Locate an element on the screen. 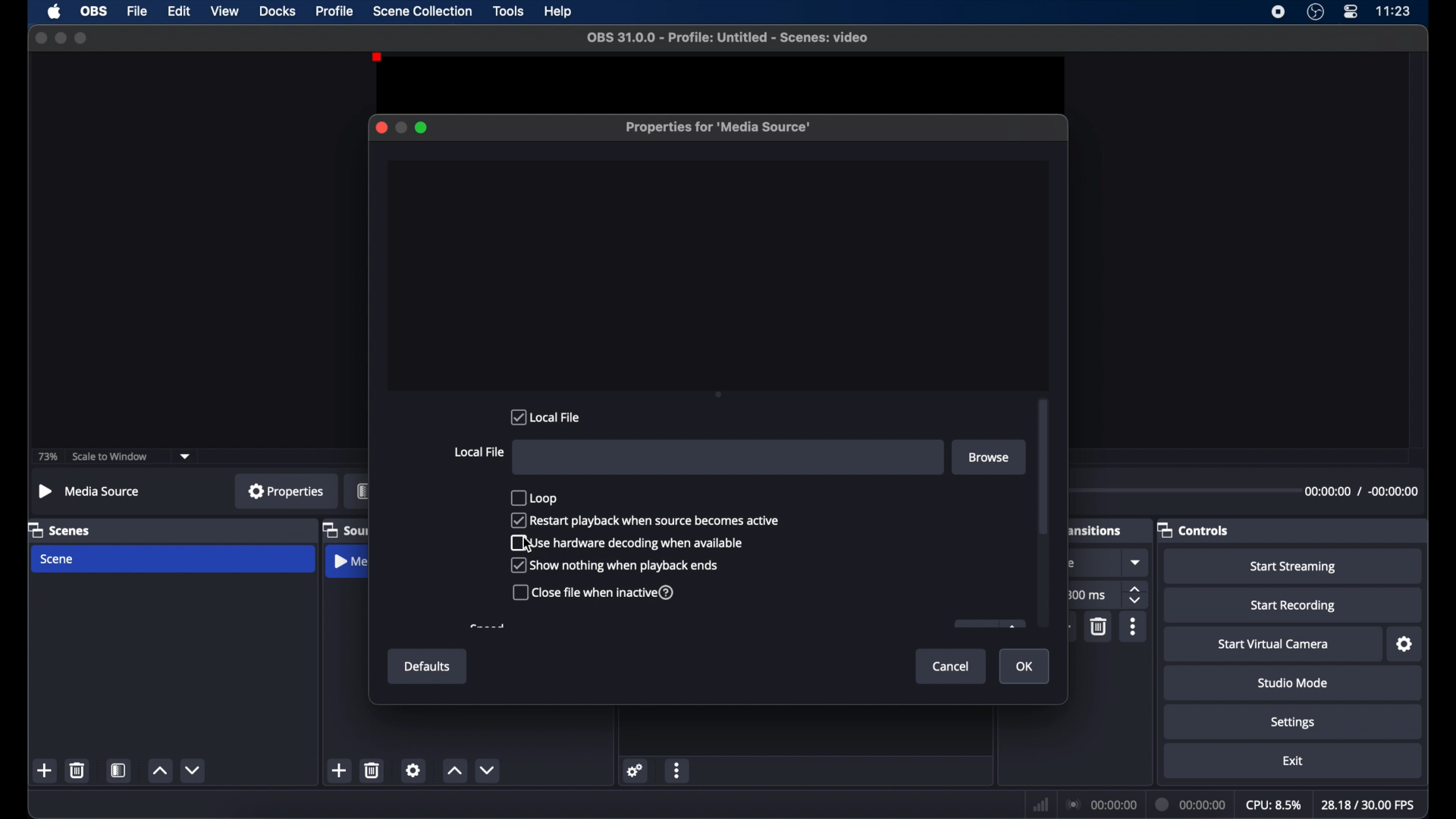 The height and width of the screenshot is (819, 1456). start streaming is located at coordinates (1295, 567).